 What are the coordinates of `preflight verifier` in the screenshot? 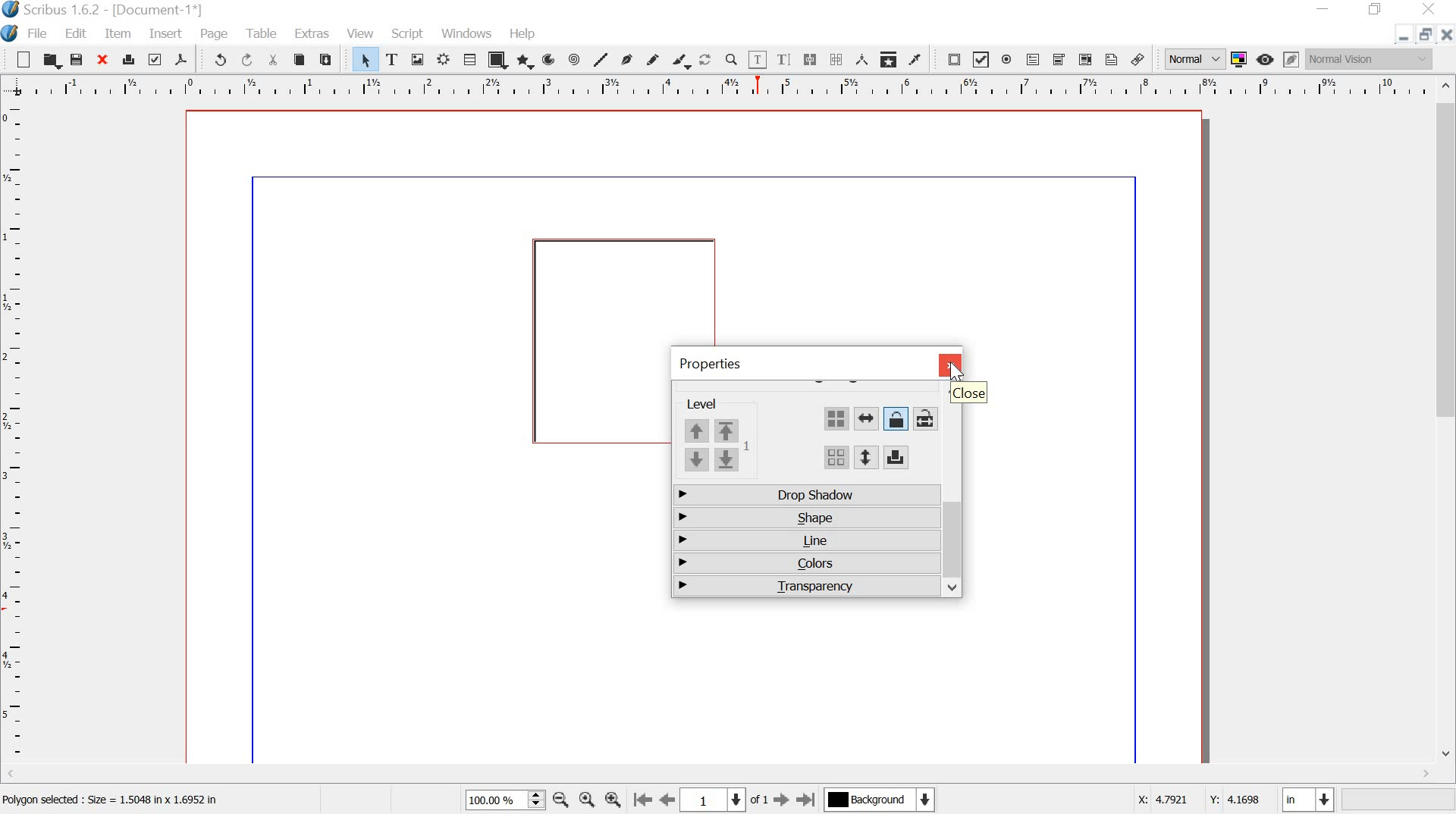 It's located at (156, 61).